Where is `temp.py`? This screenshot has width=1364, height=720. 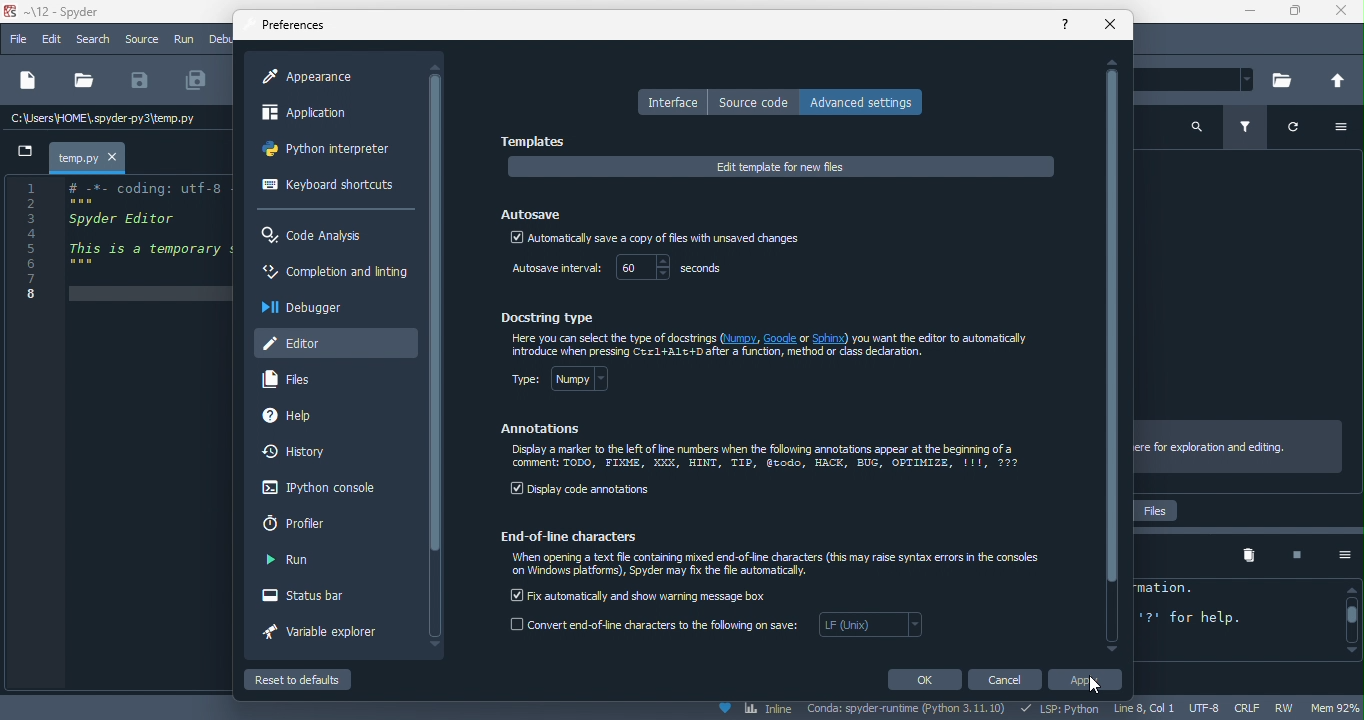
temp.py is located at coordinates (78, 157).